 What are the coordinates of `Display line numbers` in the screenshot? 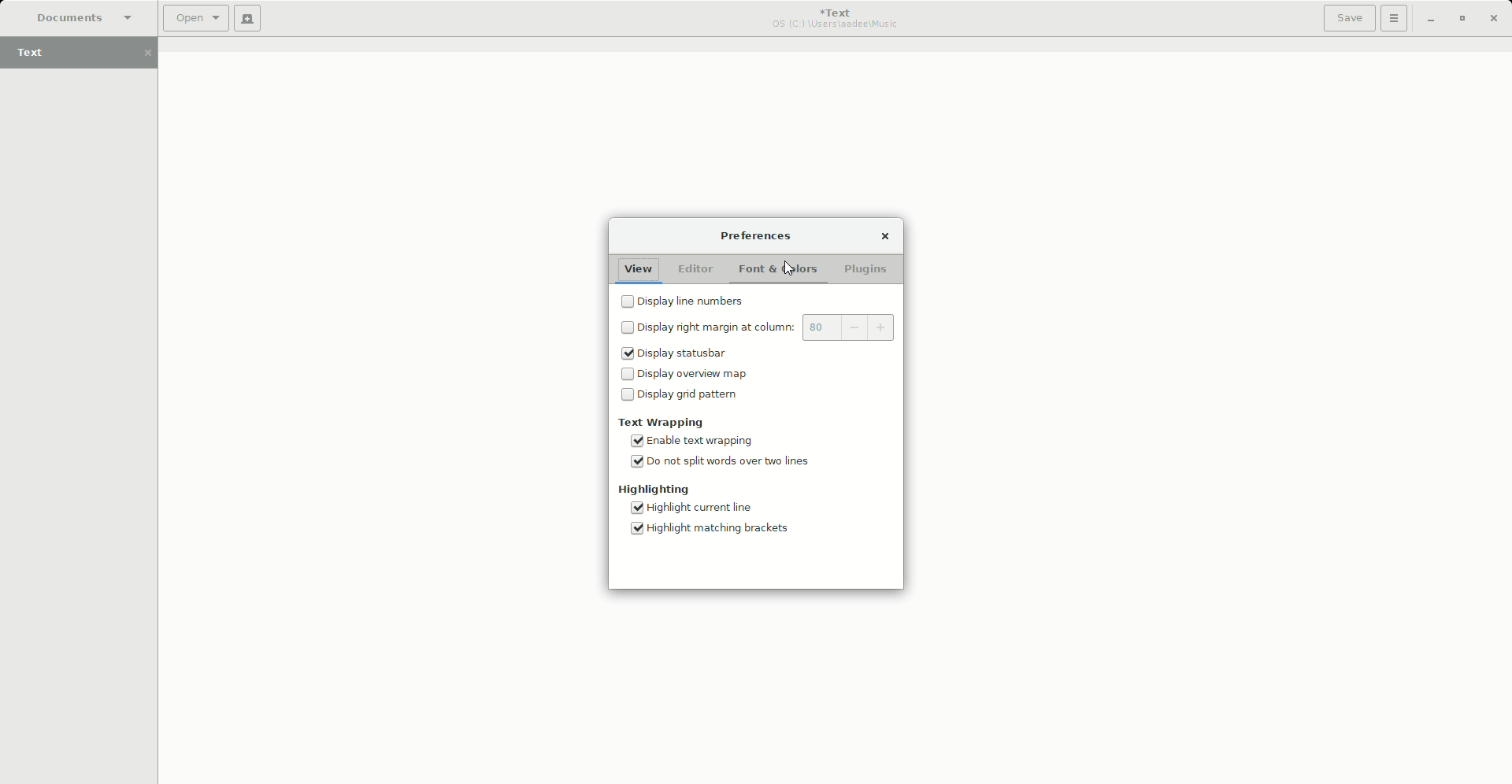 It's located at (682, 298).